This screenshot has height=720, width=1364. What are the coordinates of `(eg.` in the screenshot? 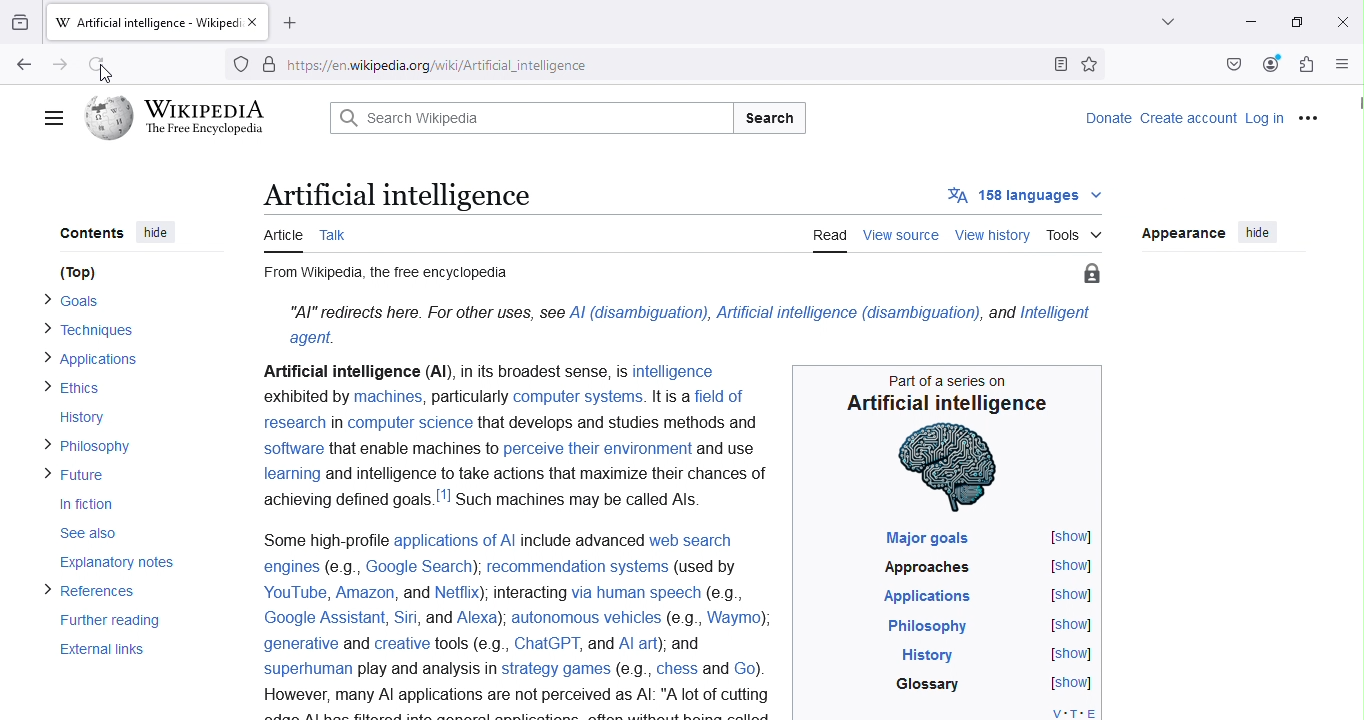 It's located at (726, 594).